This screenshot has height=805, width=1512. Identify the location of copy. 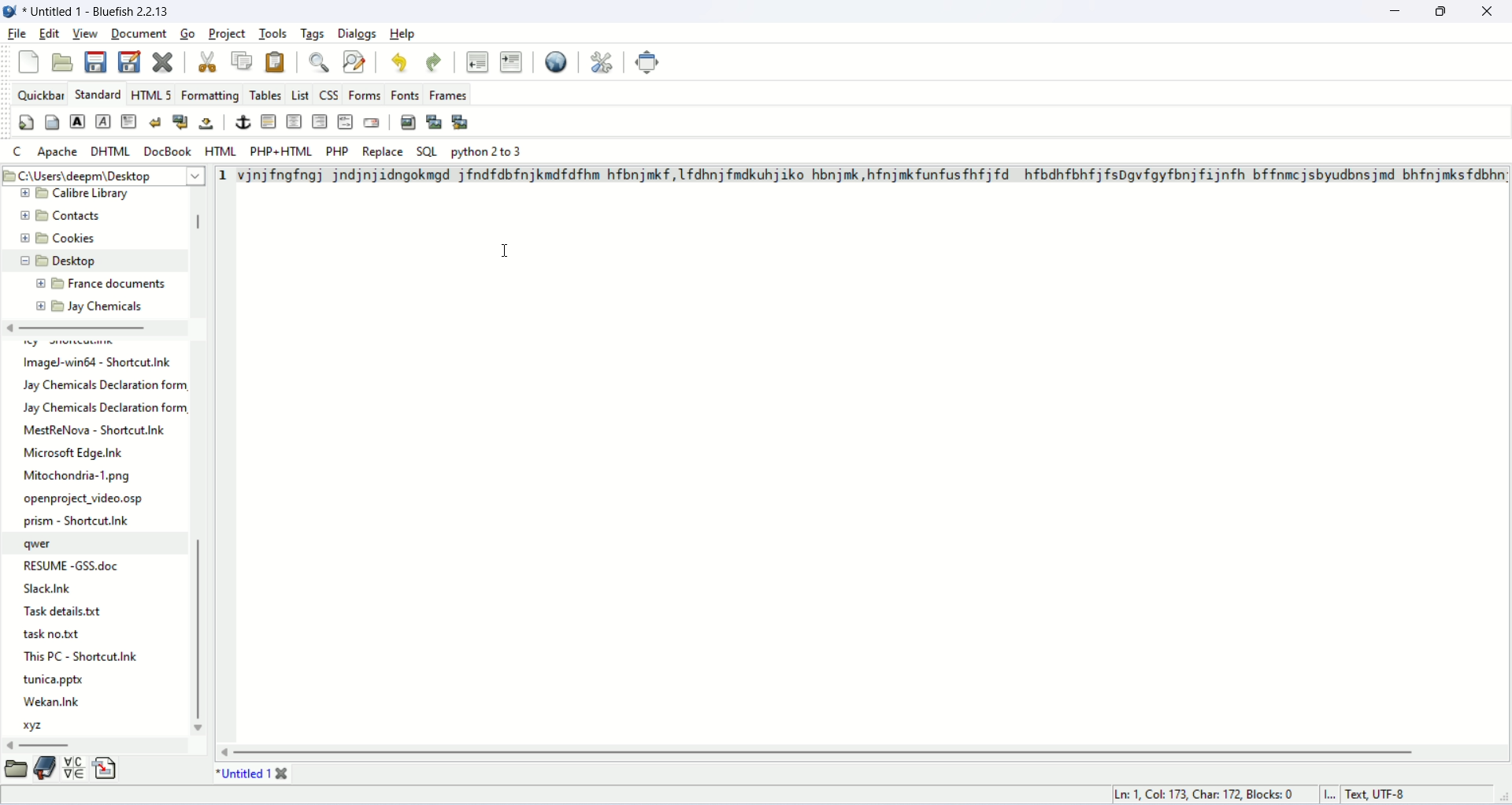
(242, 61).